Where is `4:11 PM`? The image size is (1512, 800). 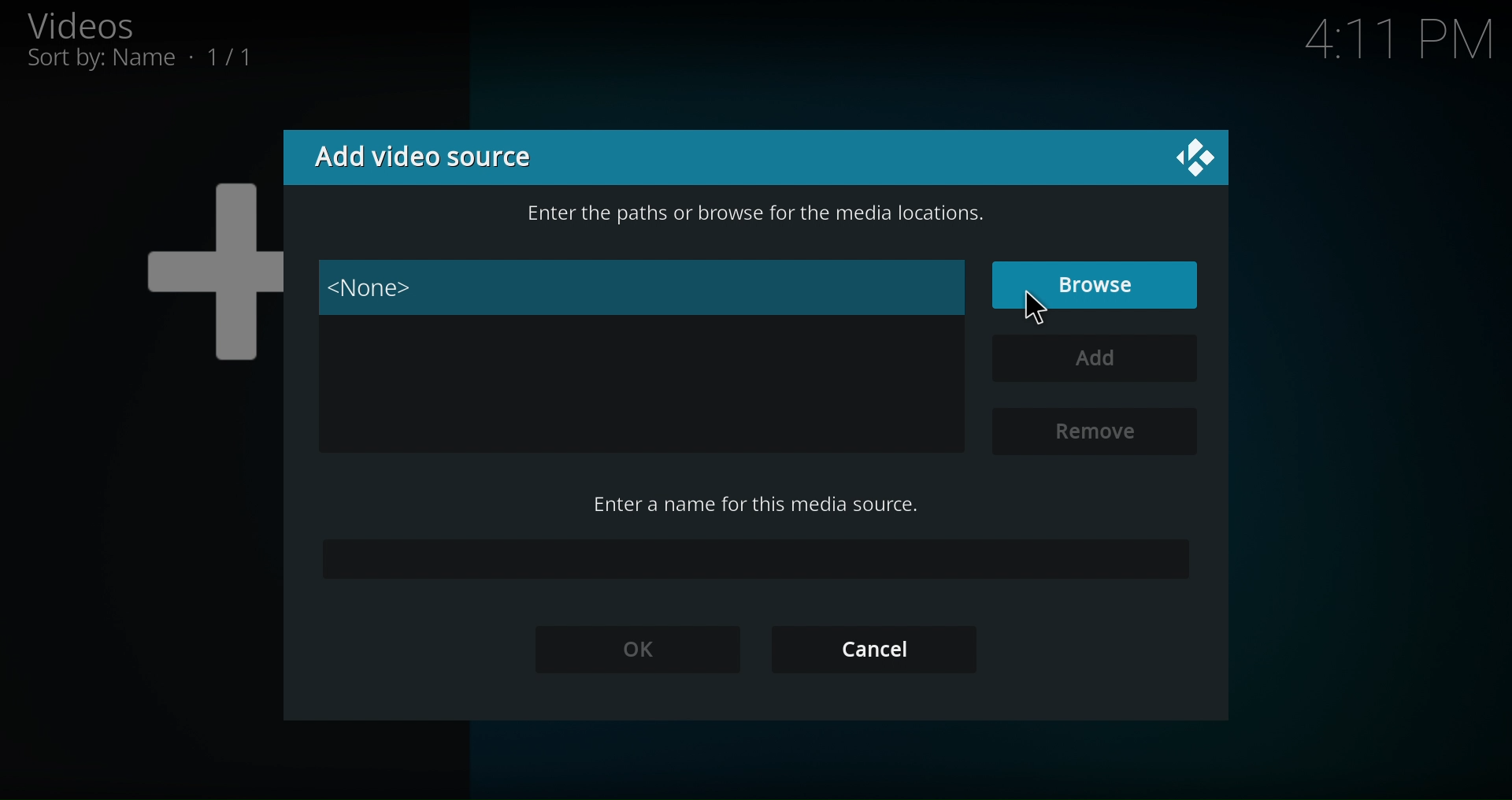
4:11 PM is located at coordinates (1398, 43).